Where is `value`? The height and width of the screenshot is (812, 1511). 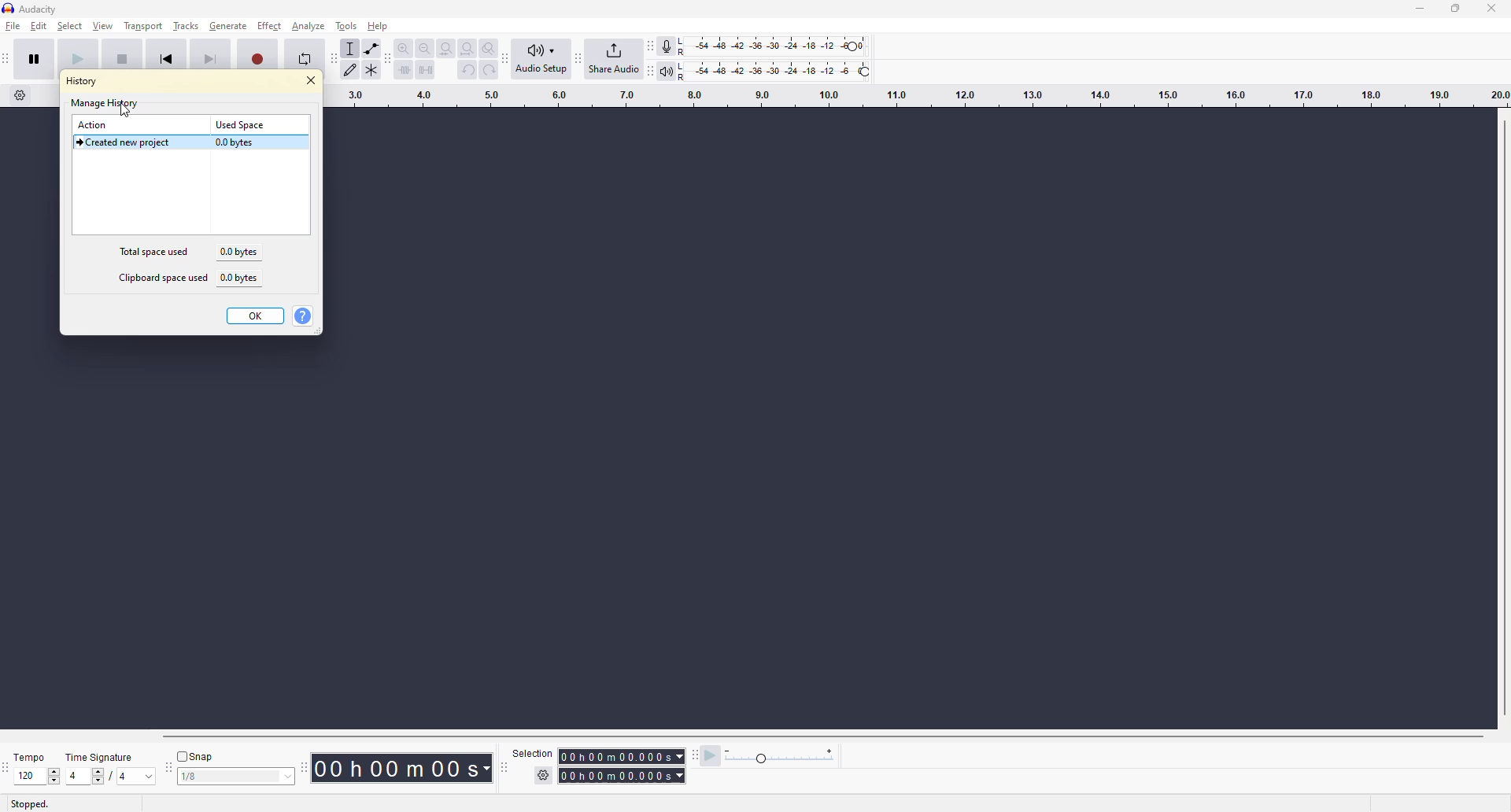 value is located at coordinates (233, 779).